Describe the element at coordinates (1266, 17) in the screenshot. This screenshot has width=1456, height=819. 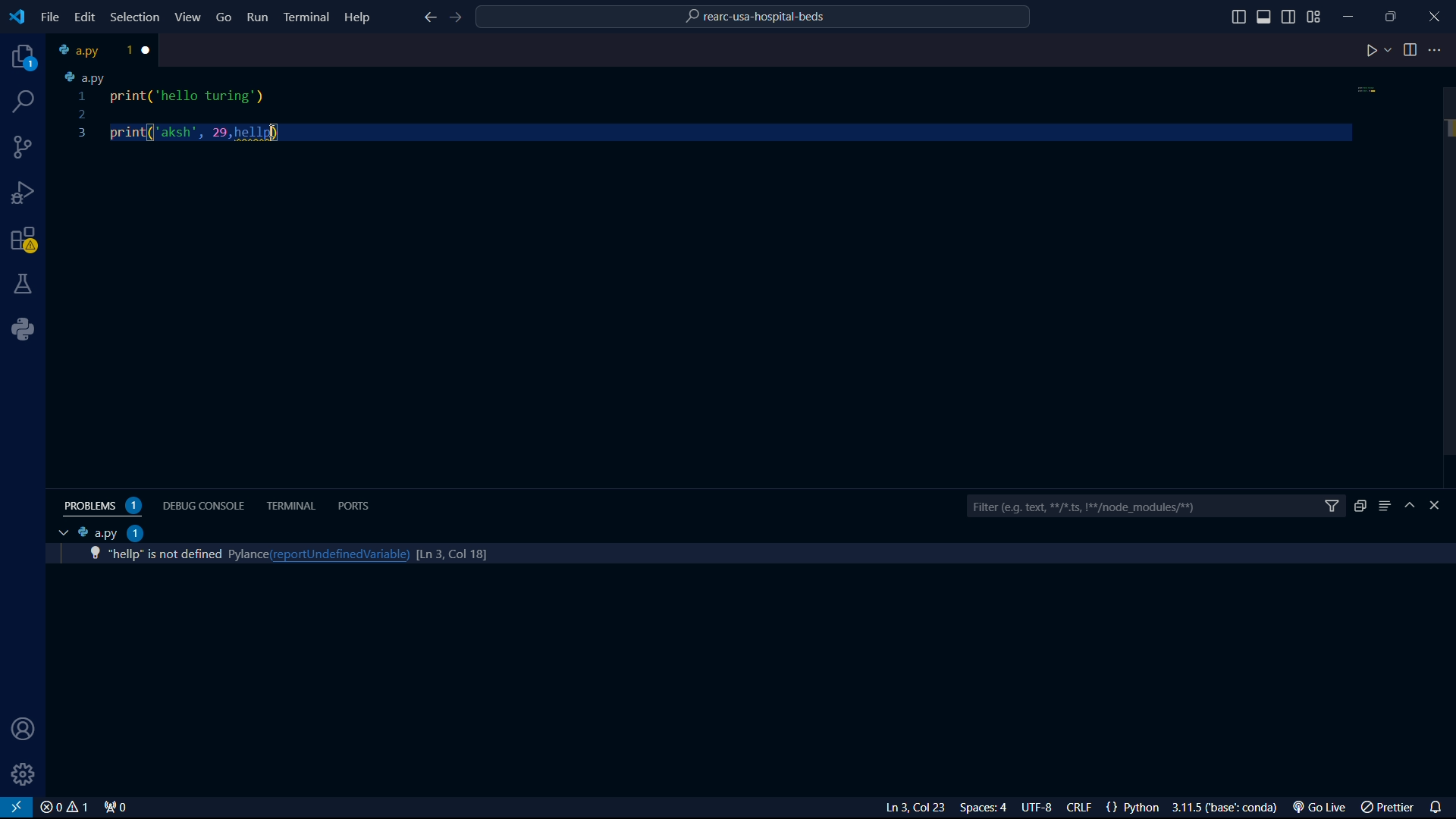
I see `toggle sidebar` at that location.